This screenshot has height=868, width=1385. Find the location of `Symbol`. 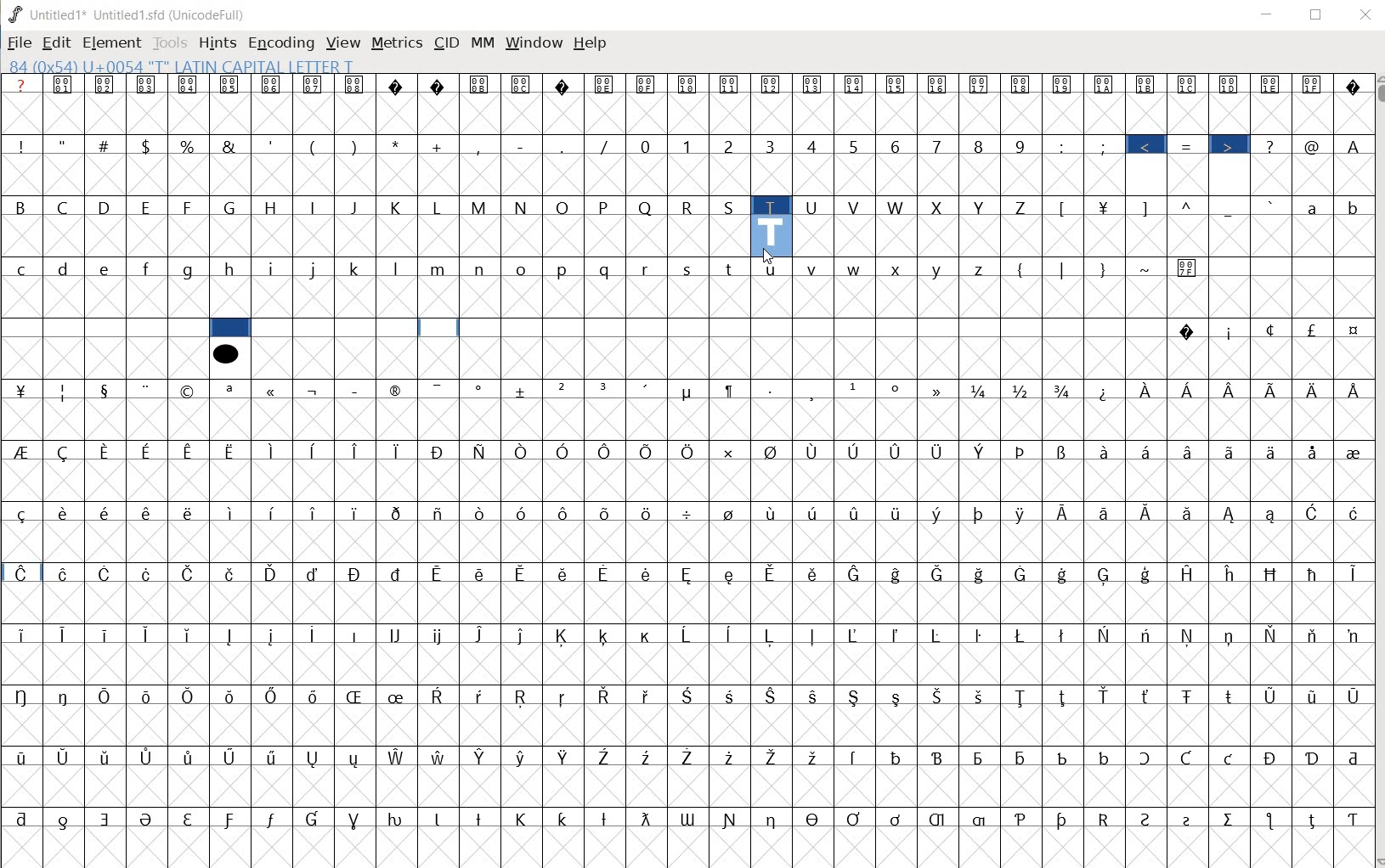

Symbol is located at coordinates (233, 637).